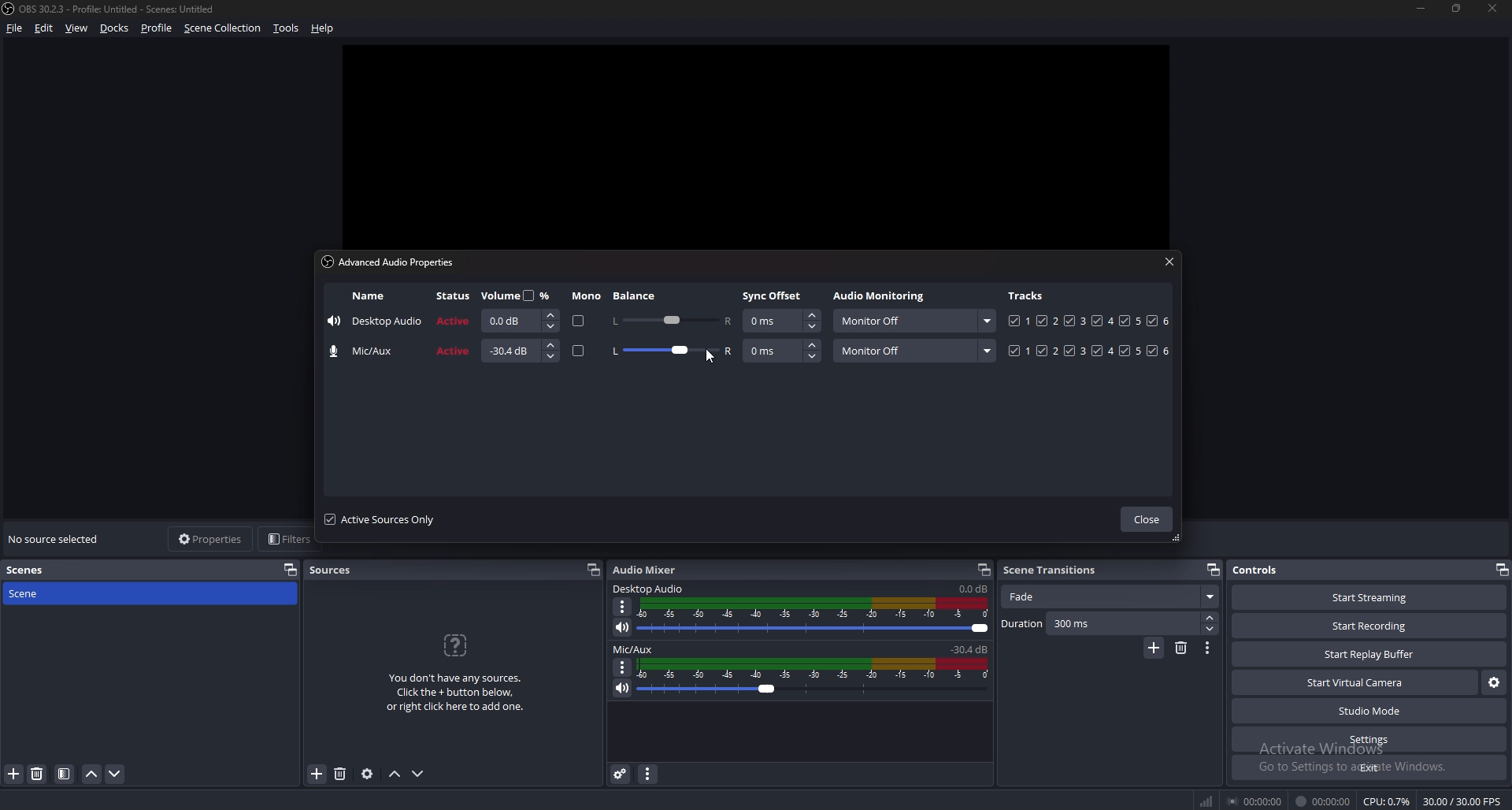  Describe the element at coordinates (914, 350) in the screenshot. I see `monitor off` at that location.